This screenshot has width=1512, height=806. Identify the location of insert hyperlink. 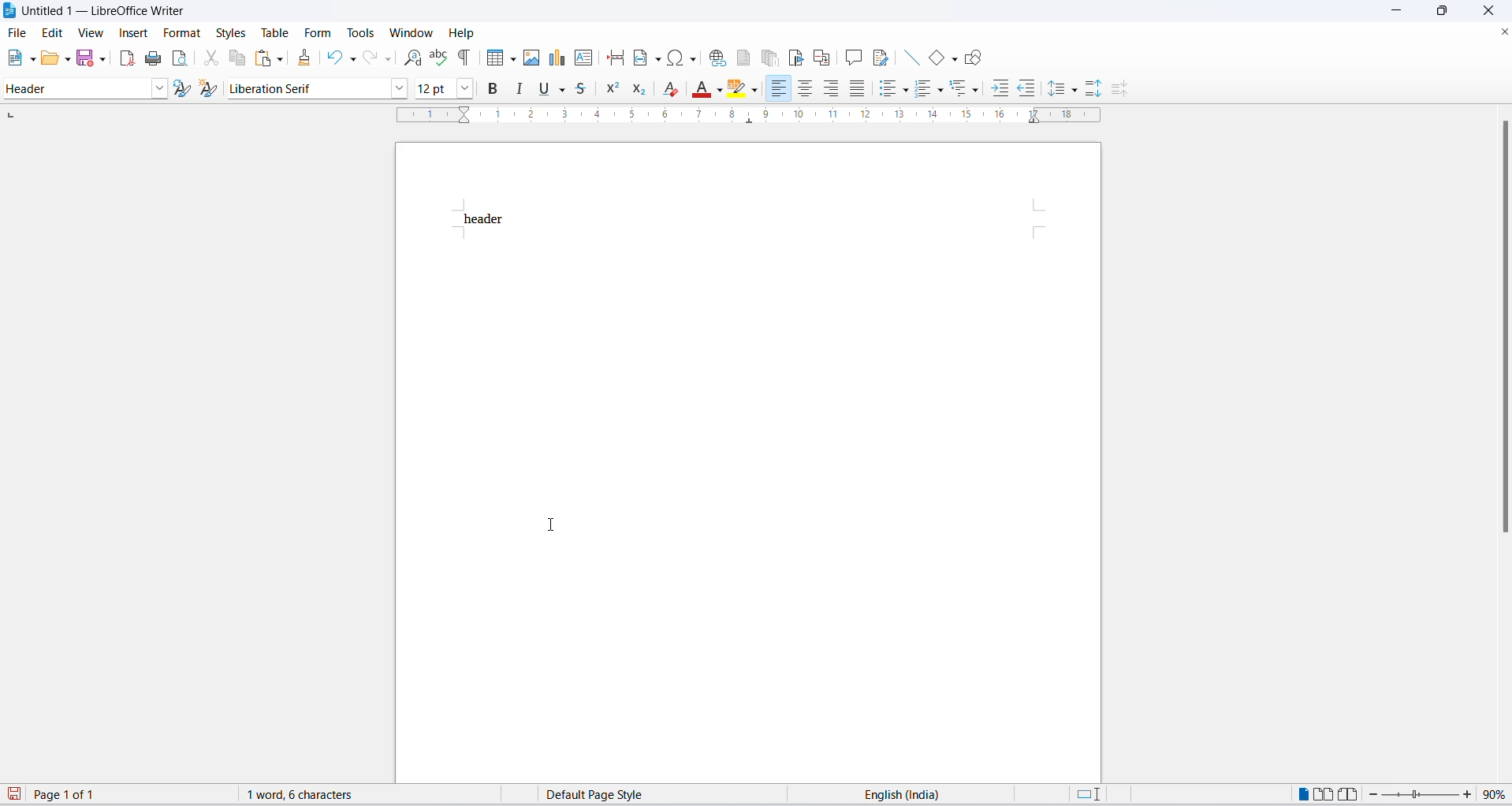
(716, 59).